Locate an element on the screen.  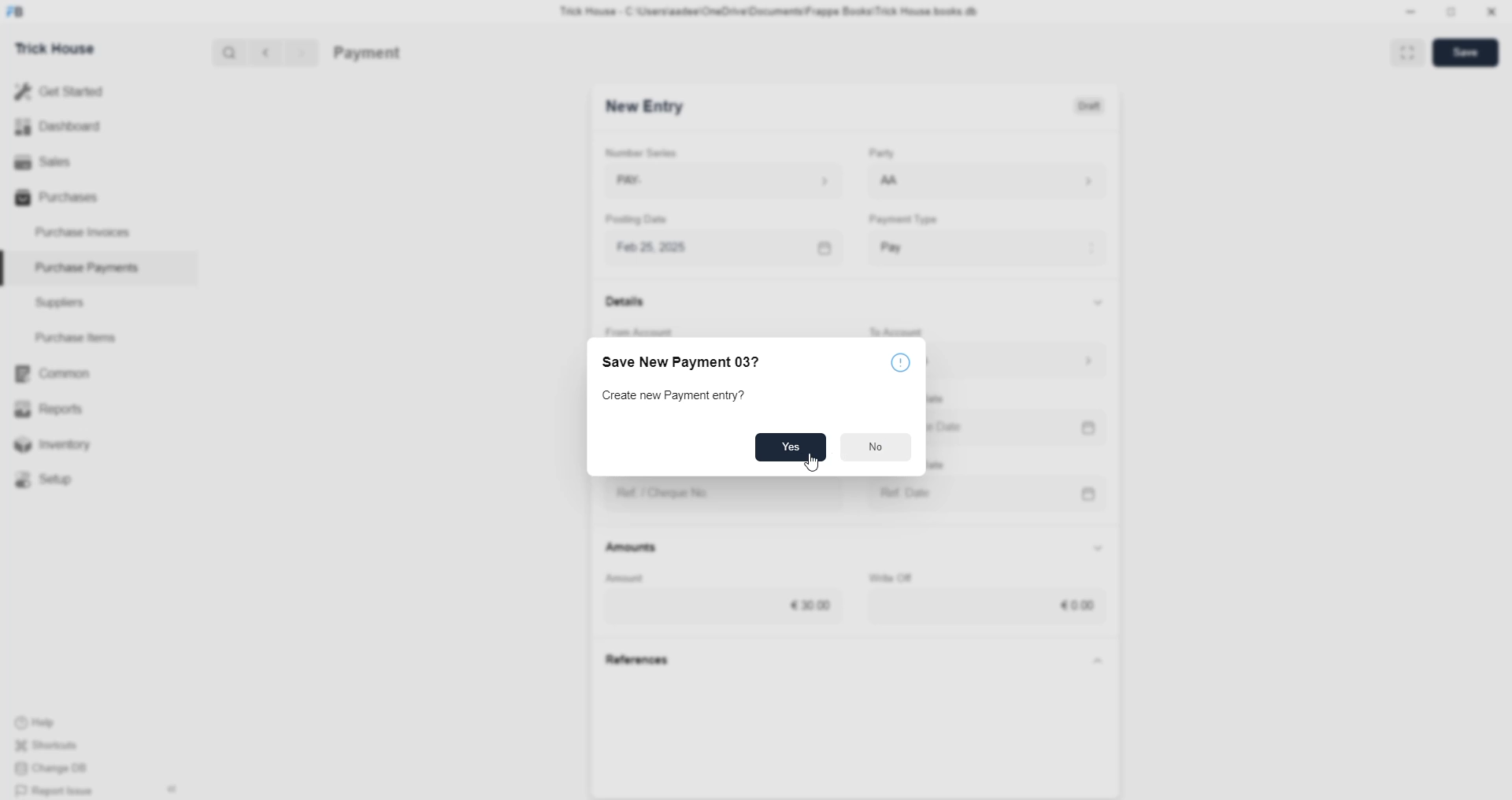
€0.00 is located at coordinates (1073, 606).